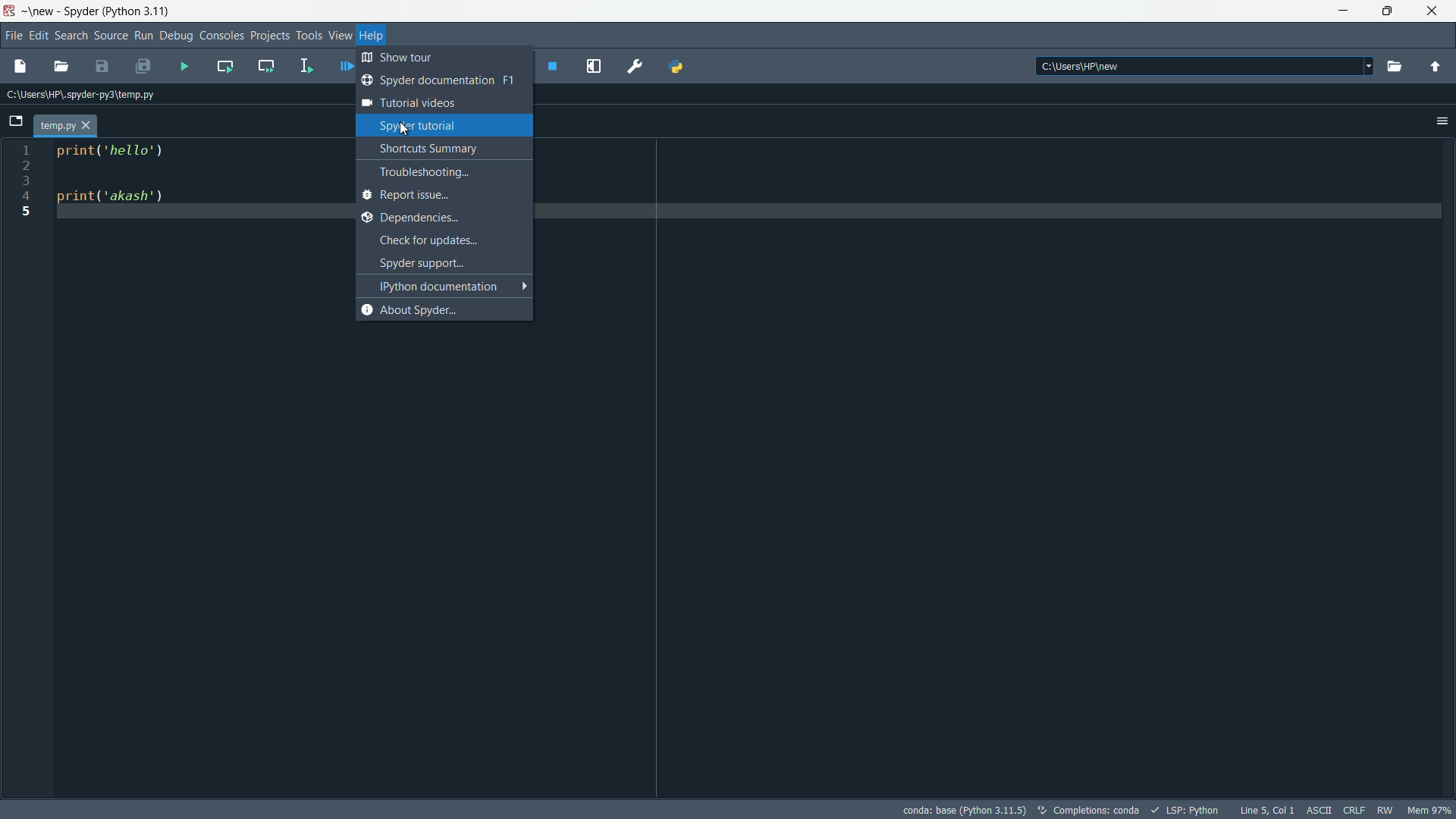  What do you see at coordinates (1338, 11) in the screenshot?
I see `minimize` at bounding box center [1338, 11].